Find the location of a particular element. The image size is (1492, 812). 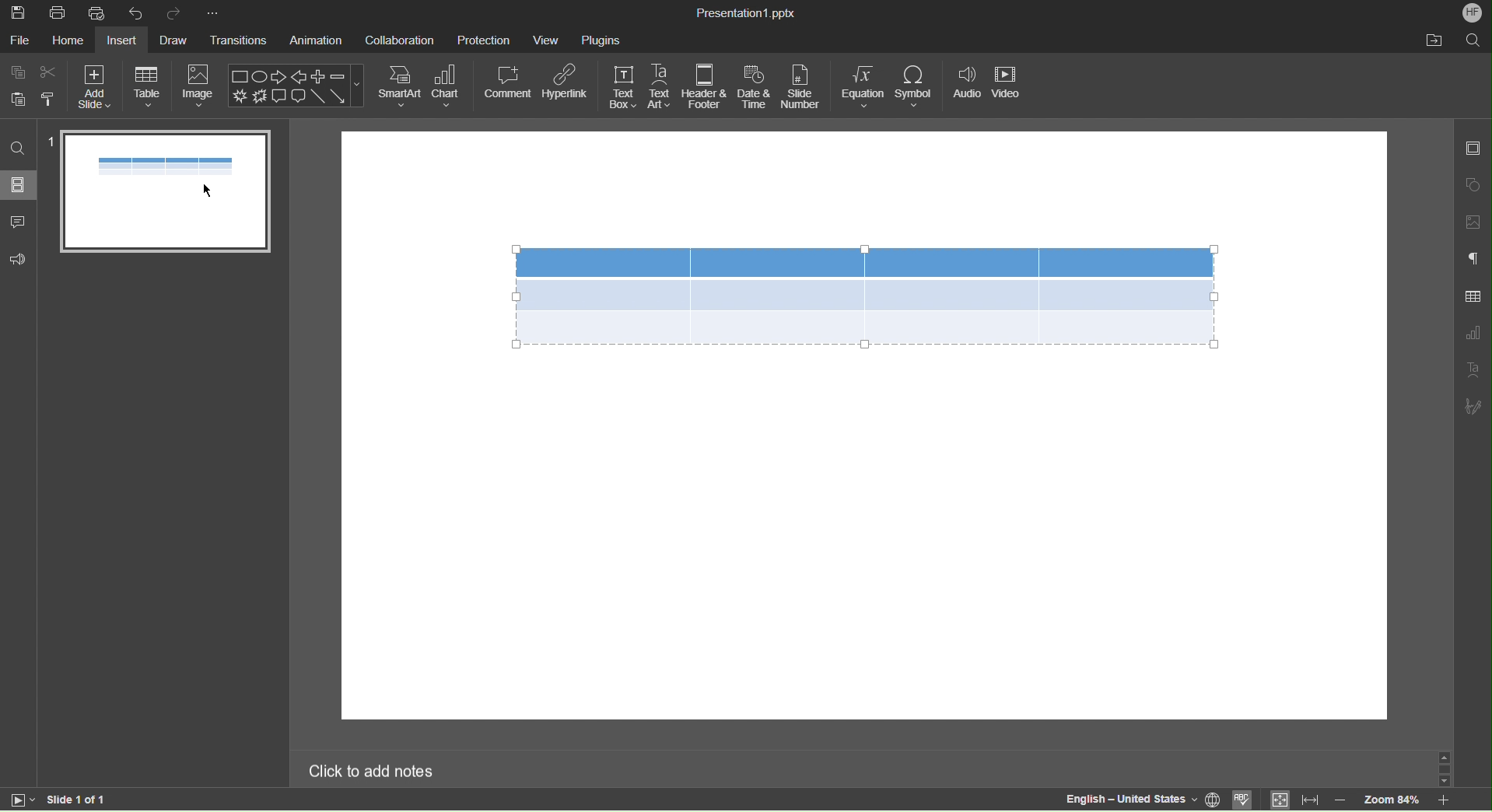

Audio is located at coordinates (967, 86).